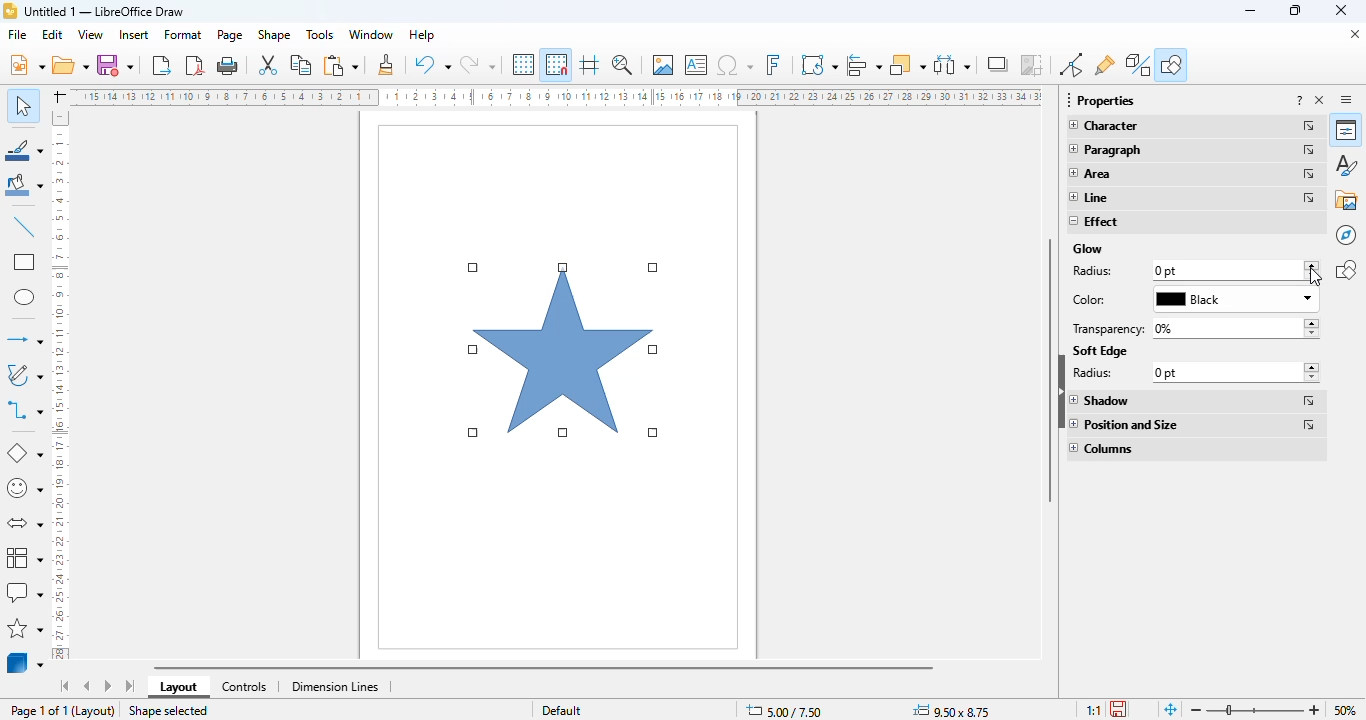  I want to click on more options, so click(1311, 199).